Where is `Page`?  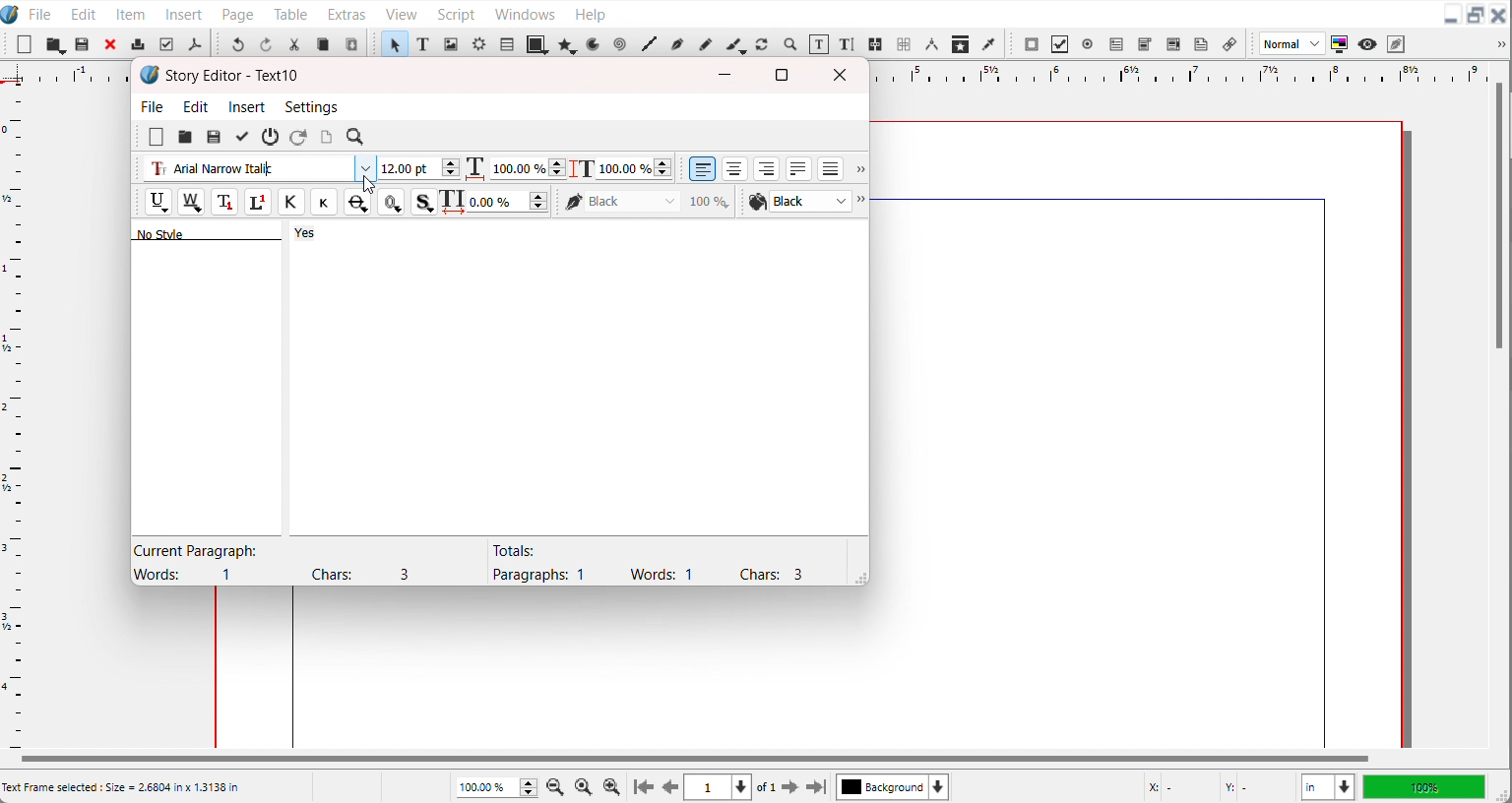
Page is located at coordinates (237, 13).